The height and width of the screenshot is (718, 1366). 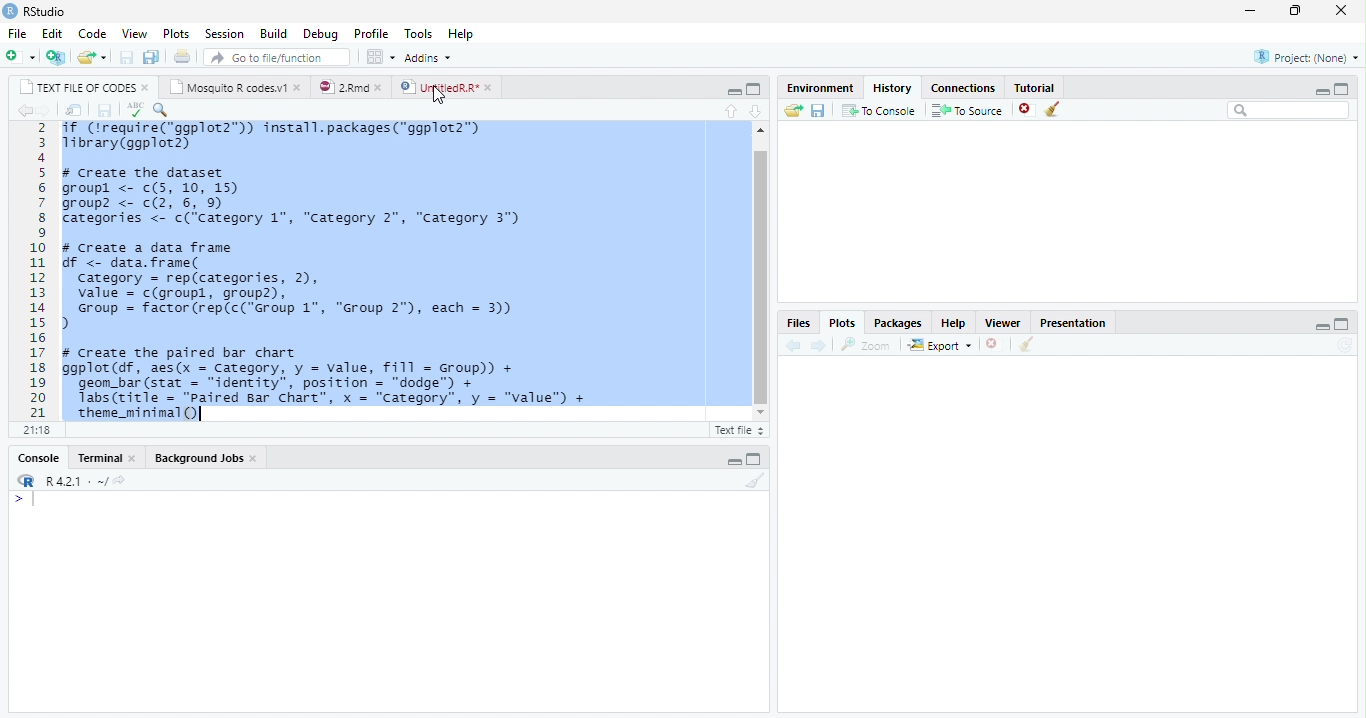 What do you see at coordinates (122, 480) in the screenshot?
I see `share icon` at bounding box center [122, 480].